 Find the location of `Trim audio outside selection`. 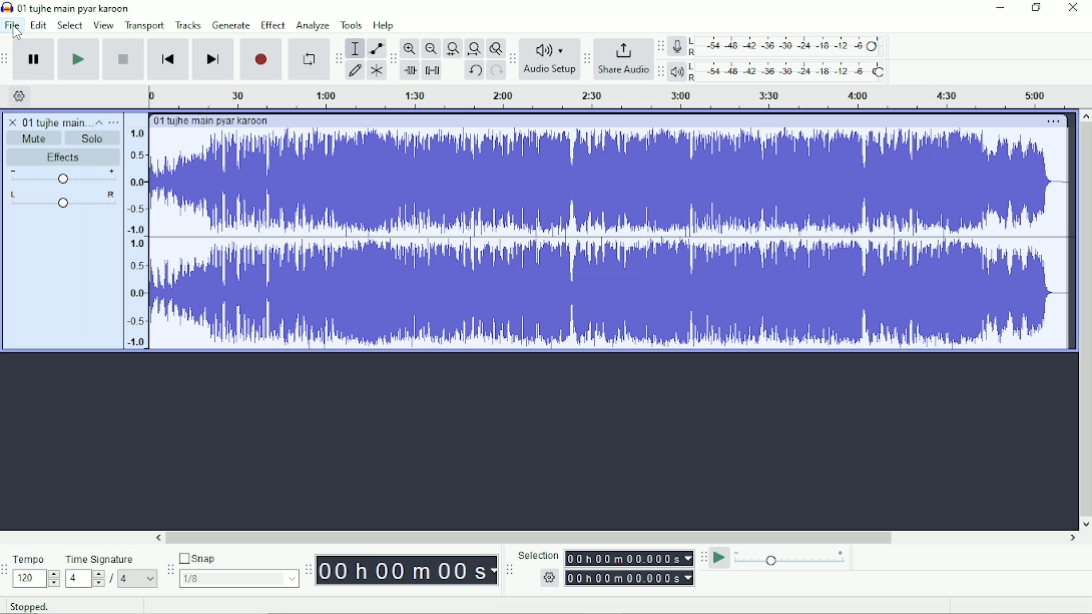

Trim audio outside selection is located at coordinates (410, 69).